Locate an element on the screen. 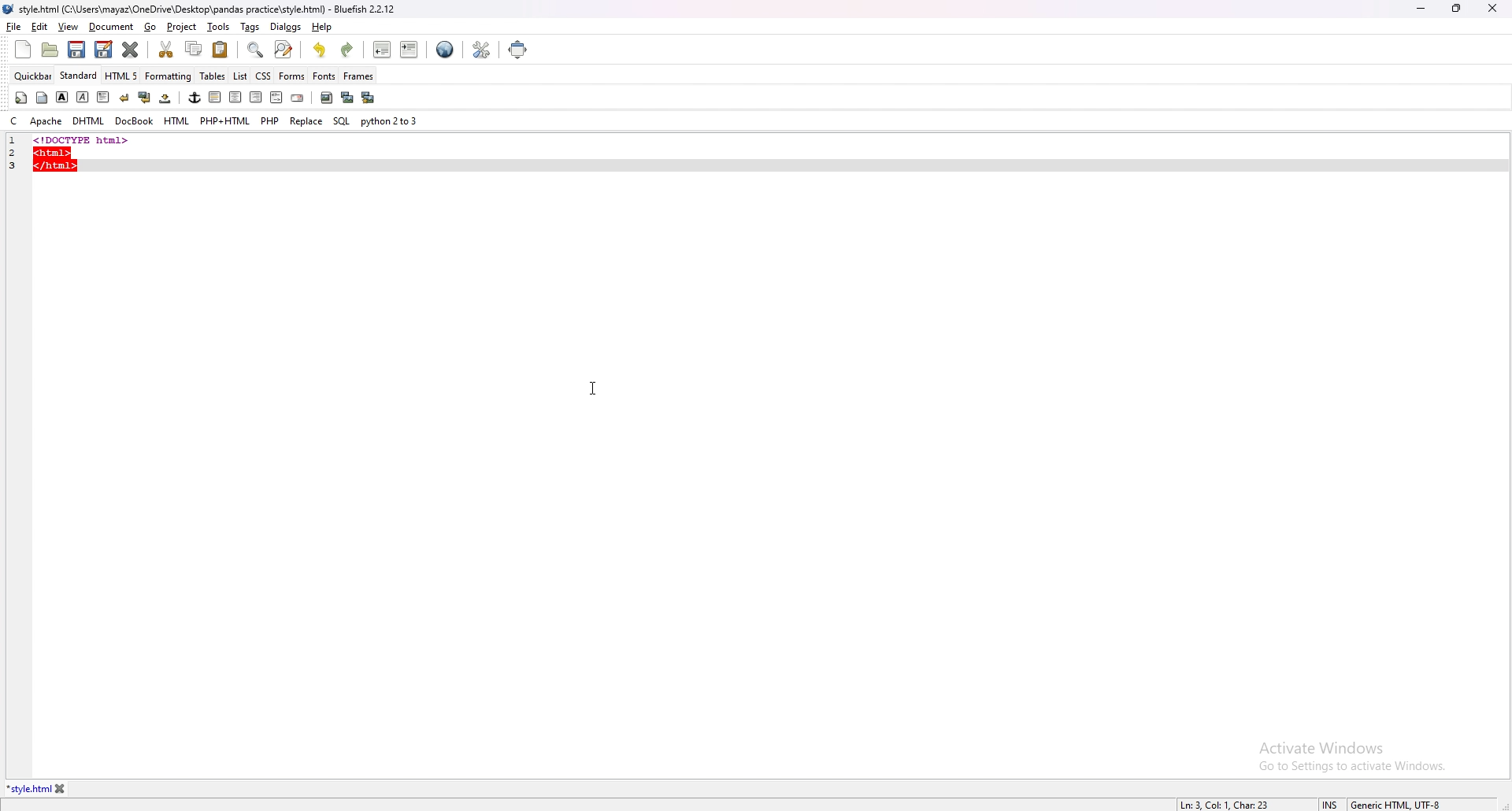 Image resolution: width=1512 pixels, height=811 pixels. frames is located at coordinates (358, 76).